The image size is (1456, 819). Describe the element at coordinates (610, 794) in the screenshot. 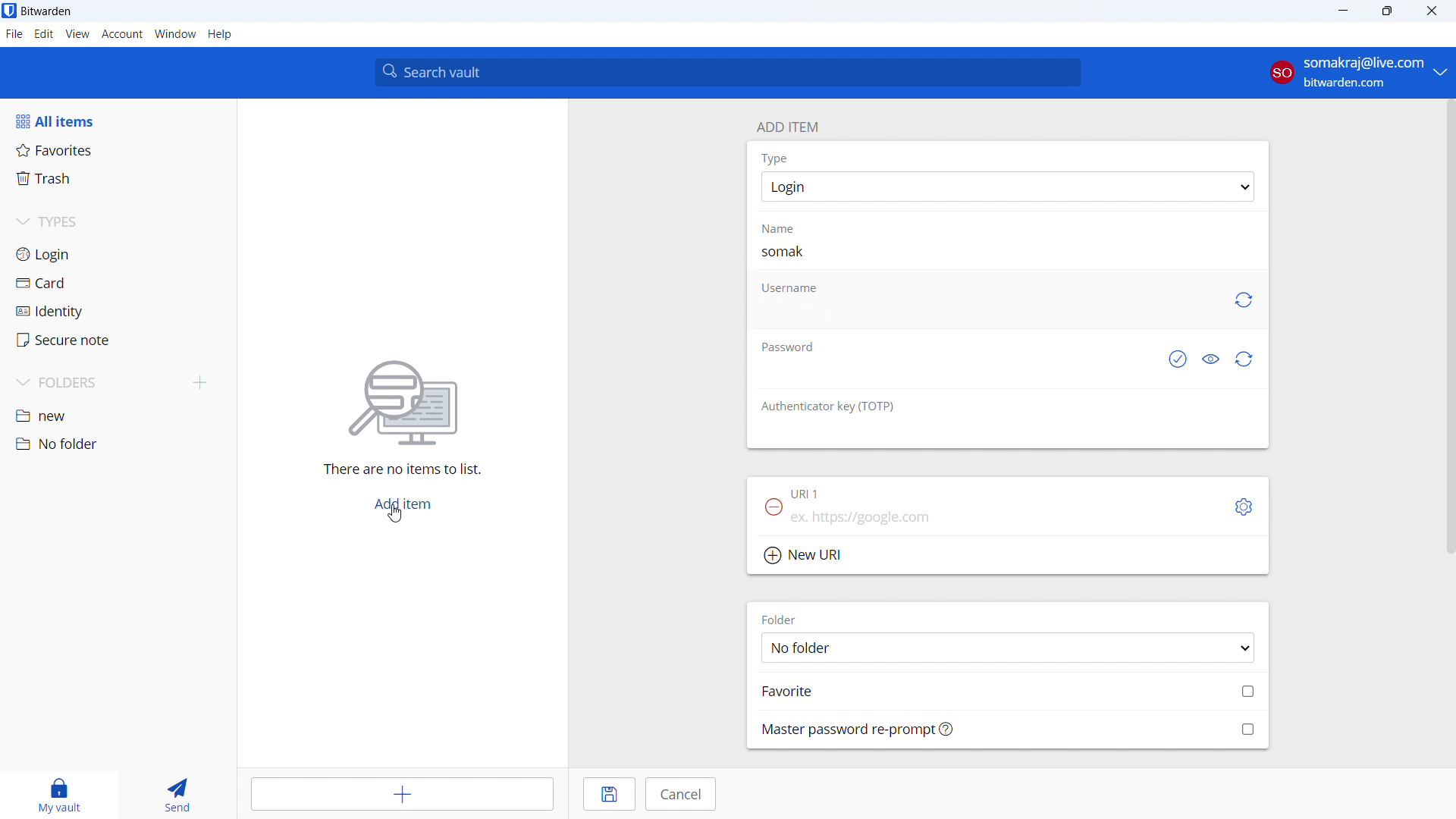

I see `save` at that location.